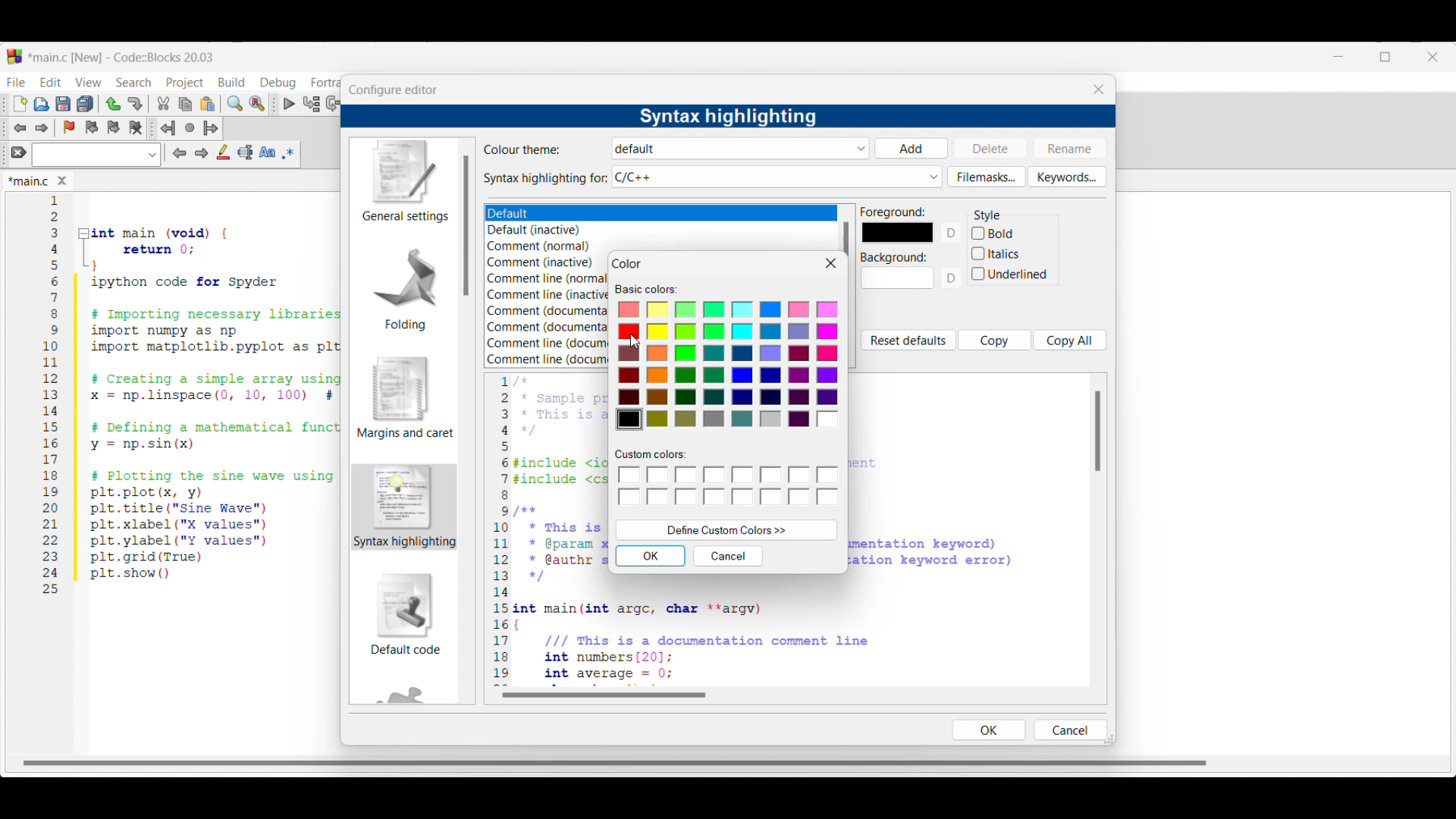 The image size is (1456, 819). What do you see at coordinates (278, 83) in the screenshot?
I see `Debug menu` at bounding box center [278, 83].